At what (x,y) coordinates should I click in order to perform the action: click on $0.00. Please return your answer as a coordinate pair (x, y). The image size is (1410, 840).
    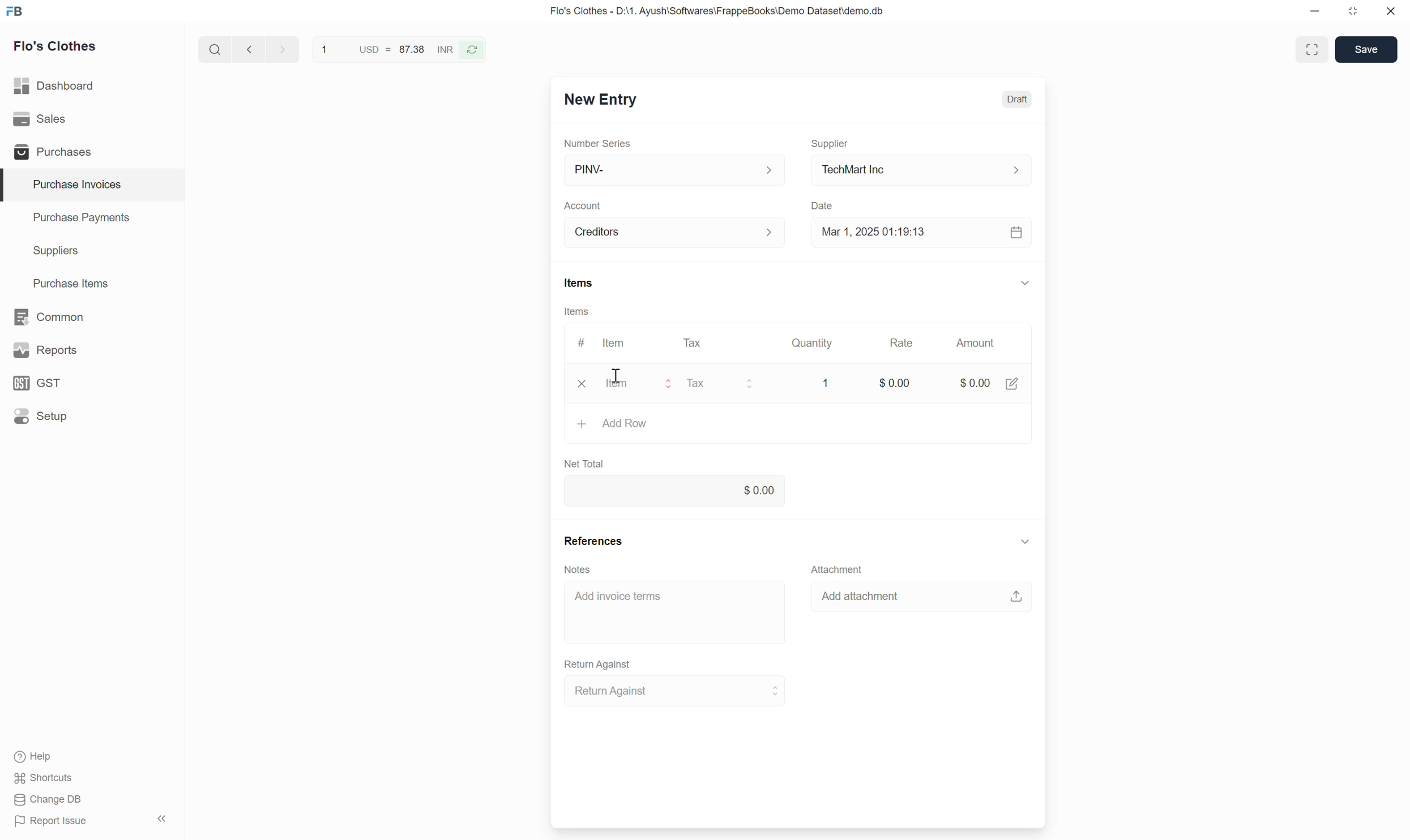
    Looking at the image, I should click on (975, 382).